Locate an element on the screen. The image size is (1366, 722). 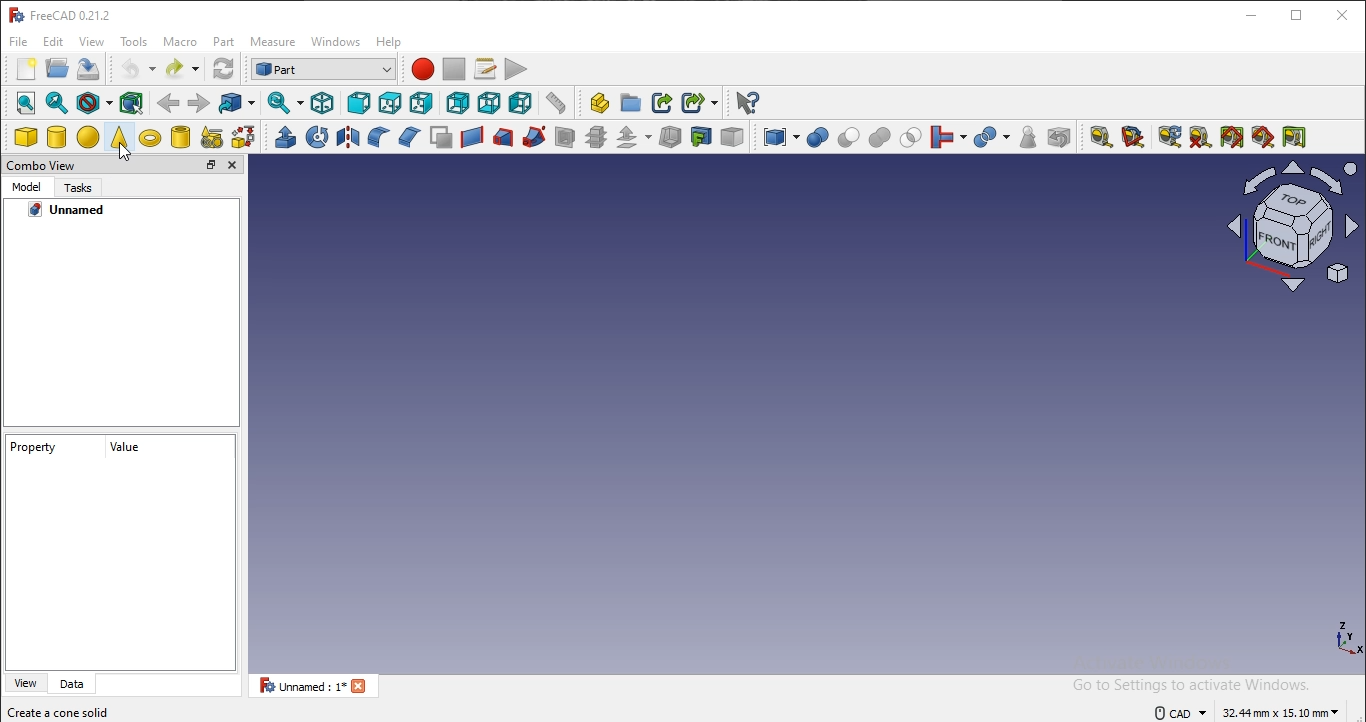
help is located at coordinates (389, 42).